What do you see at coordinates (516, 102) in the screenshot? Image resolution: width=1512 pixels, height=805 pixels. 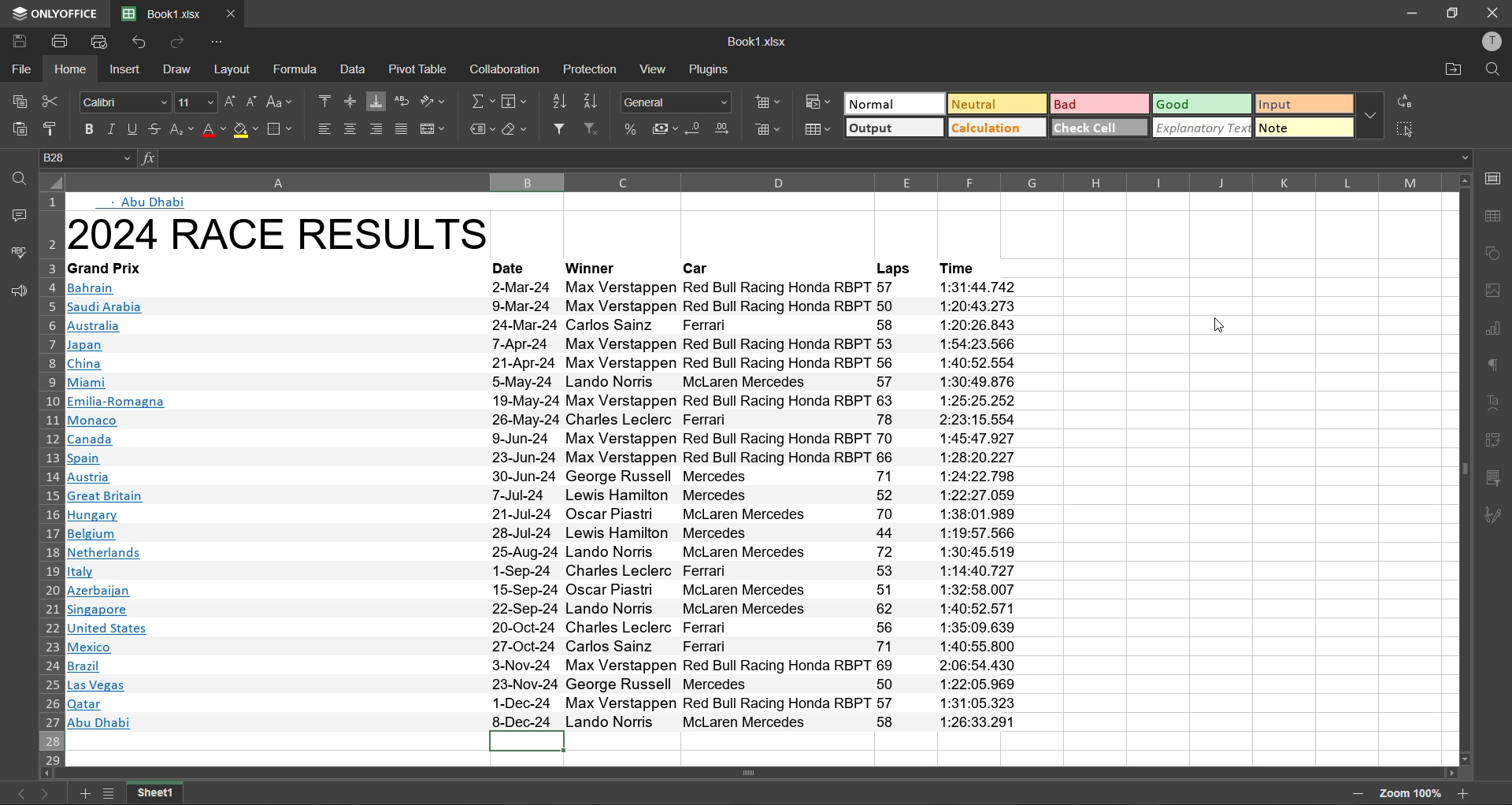 I see `field` at bounding box center [516, 102].